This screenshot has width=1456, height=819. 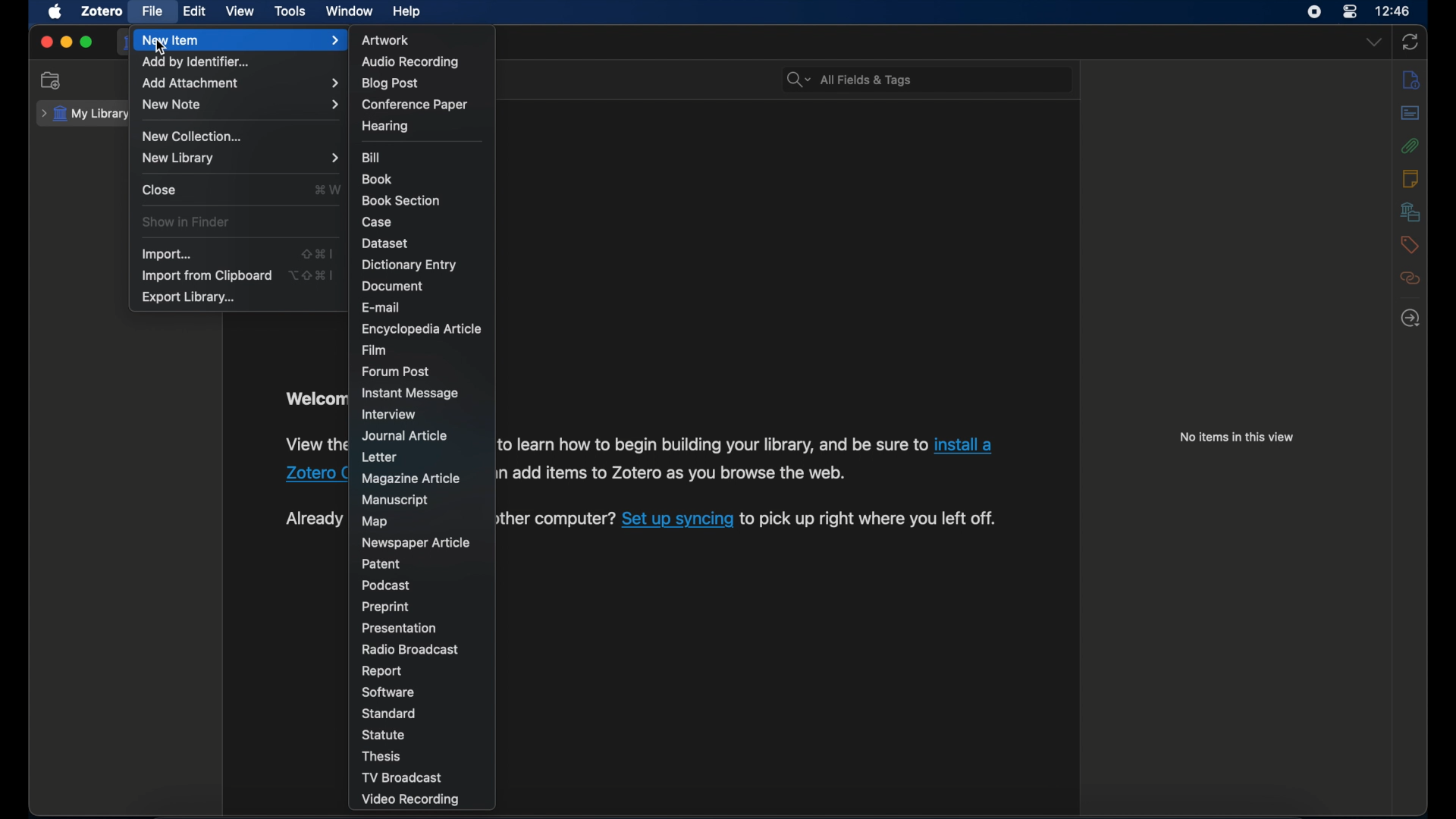 I want to click on my library, so click(x=83, y=114).